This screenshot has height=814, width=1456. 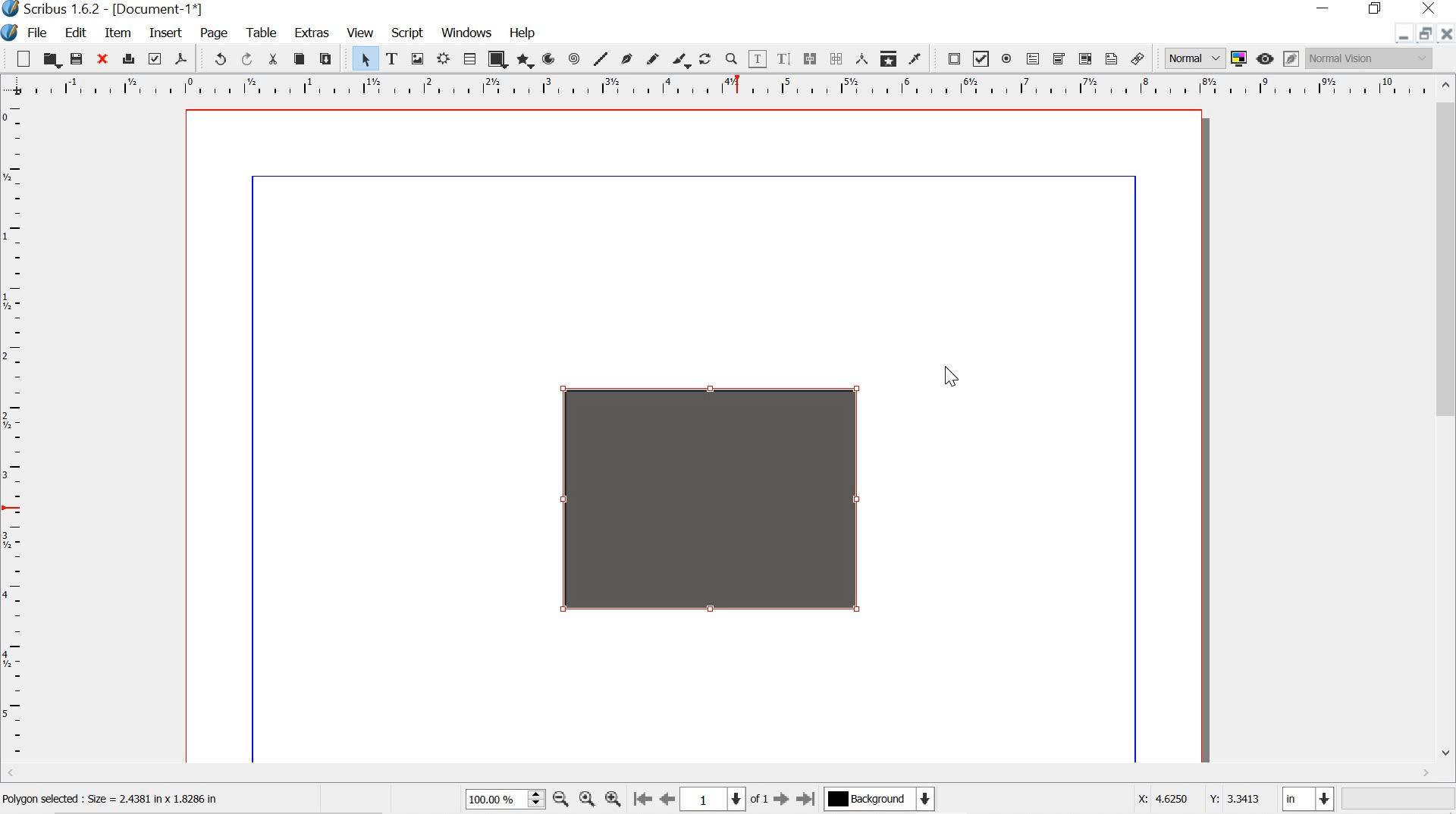 What do you see at coordinates (1291, 57) in the screenshot?
I see `edit in preview mode` at bounding box center [1291, 57].